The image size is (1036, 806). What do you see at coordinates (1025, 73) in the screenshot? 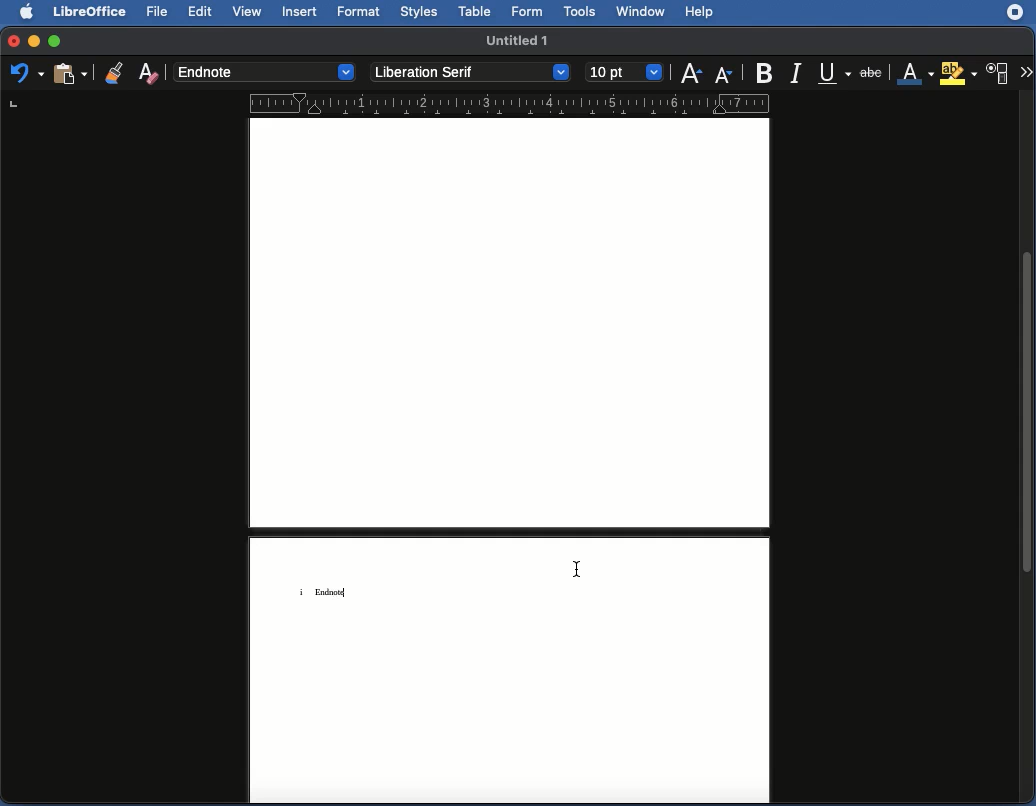
I see `More` at bounding box center [1025, 73].